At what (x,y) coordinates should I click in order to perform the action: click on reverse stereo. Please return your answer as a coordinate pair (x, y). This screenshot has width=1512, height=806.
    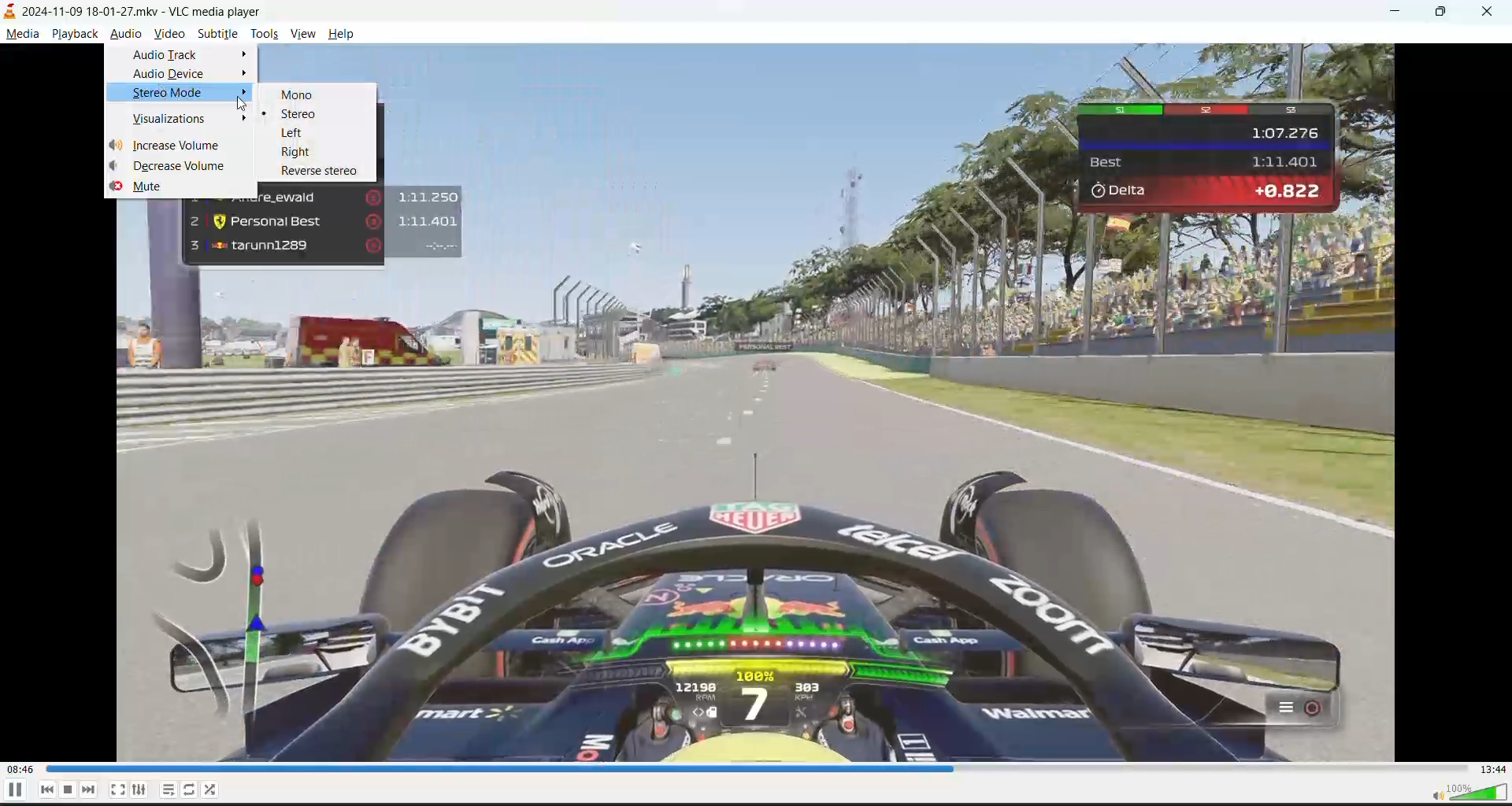
    Looking at the image, I should click on (314, 172).